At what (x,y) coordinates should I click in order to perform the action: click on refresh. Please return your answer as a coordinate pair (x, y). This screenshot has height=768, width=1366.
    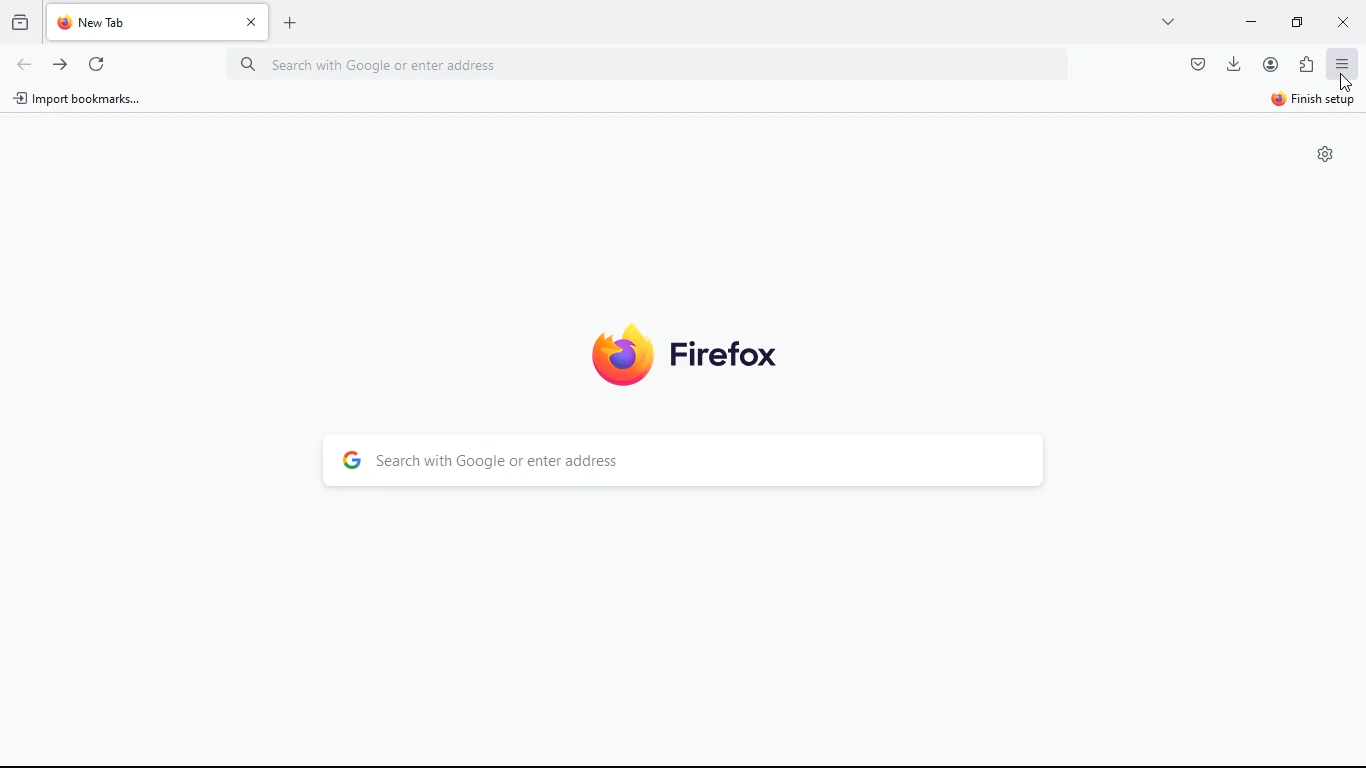
    Looking at the image, I should click on (99, 66).